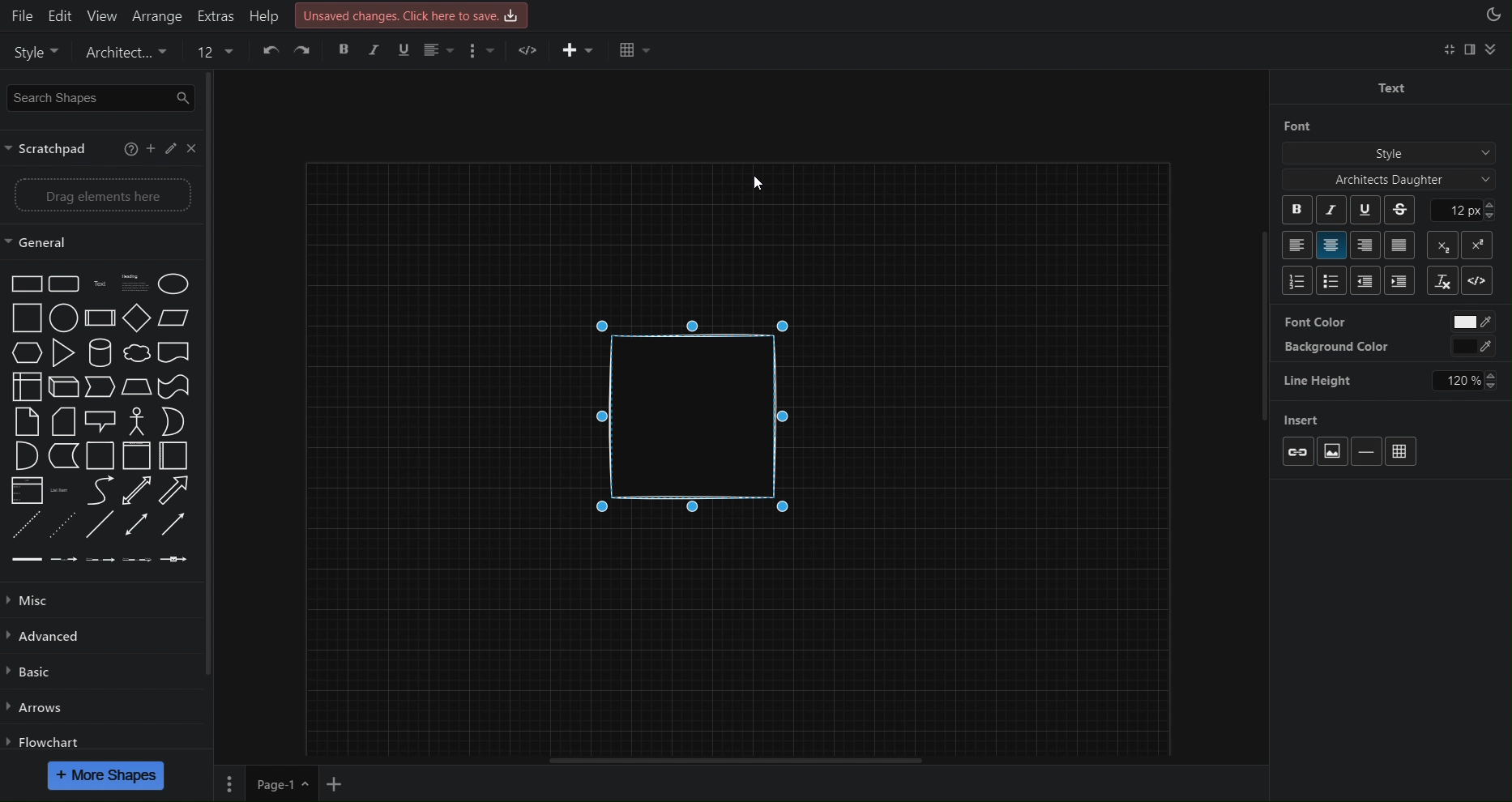 This screenshot has width=1512, height=802. Describe the element at coordinates (280, 783) in the screenshot. I see `Page 1` at that location.